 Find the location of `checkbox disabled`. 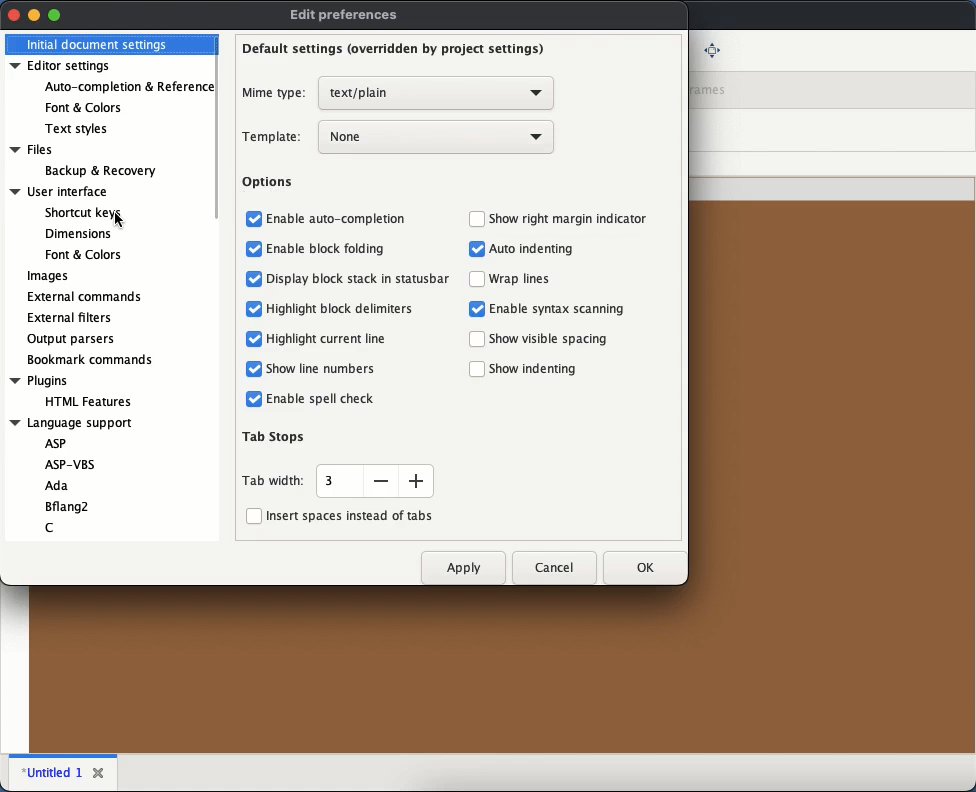

checkbox disabled is located at coordinates (475, 219).